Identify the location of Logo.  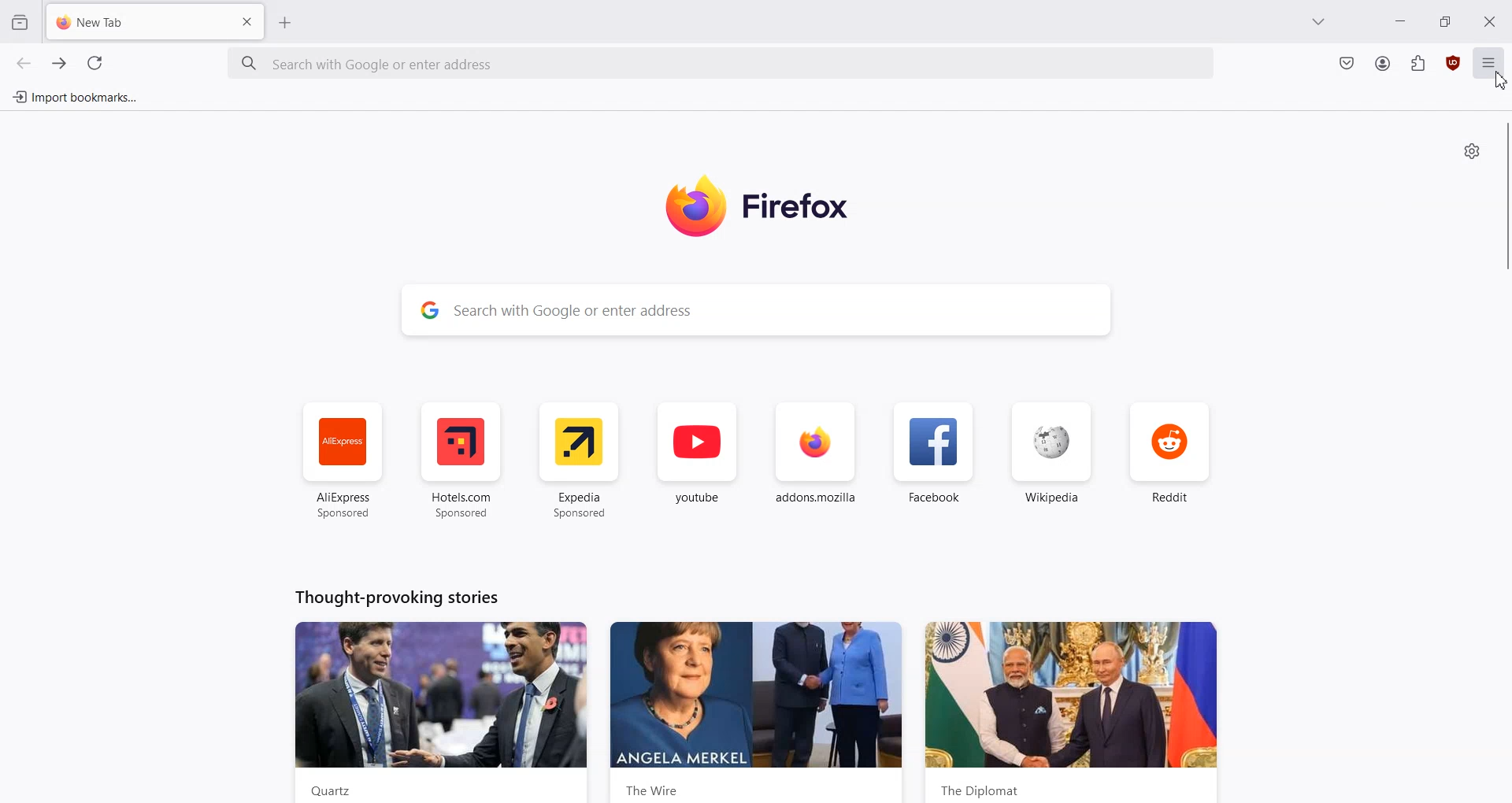
(780, 206).